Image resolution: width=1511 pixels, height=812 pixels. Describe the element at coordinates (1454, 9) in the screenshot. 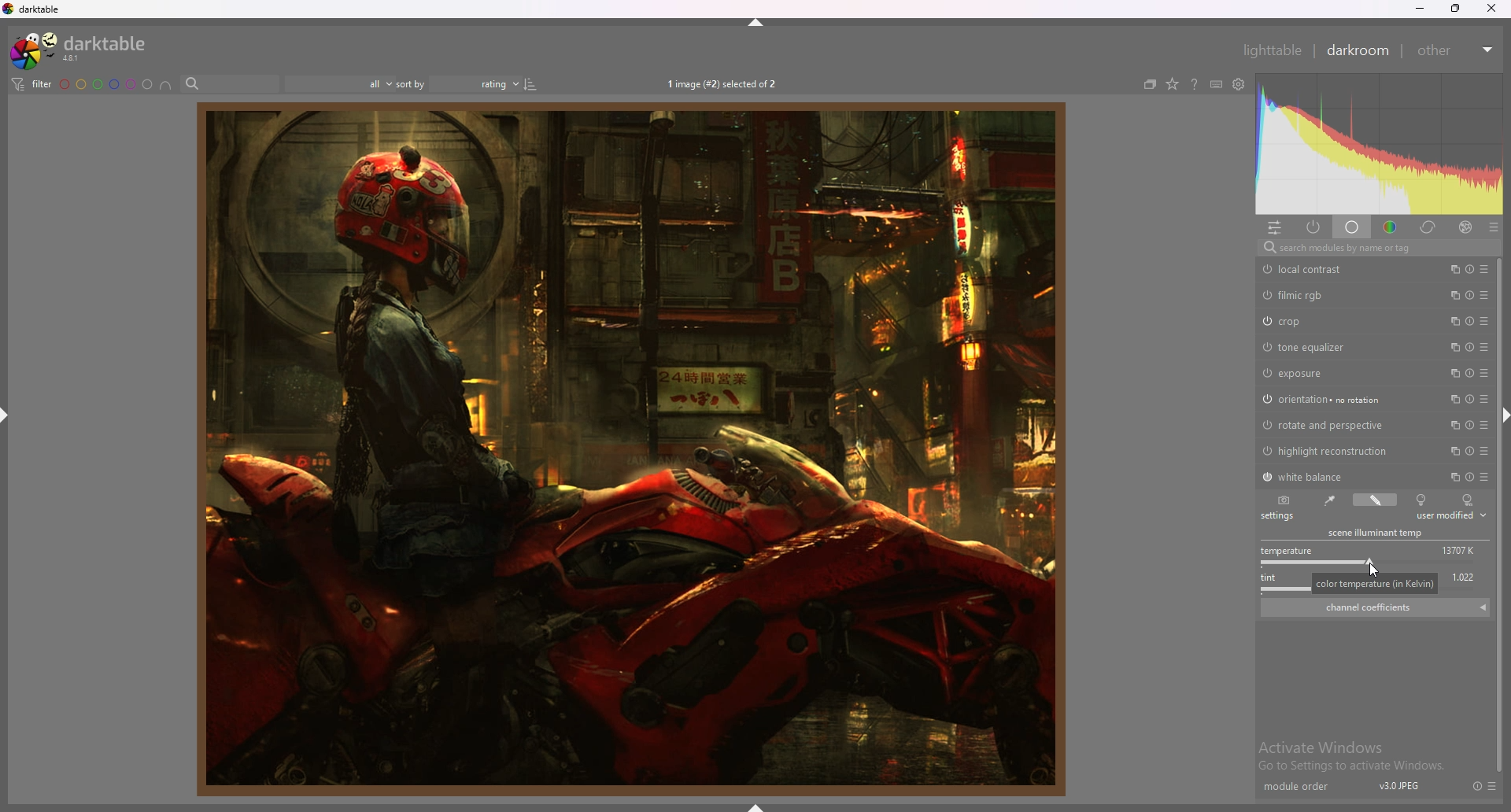

I see `resize` at that location.